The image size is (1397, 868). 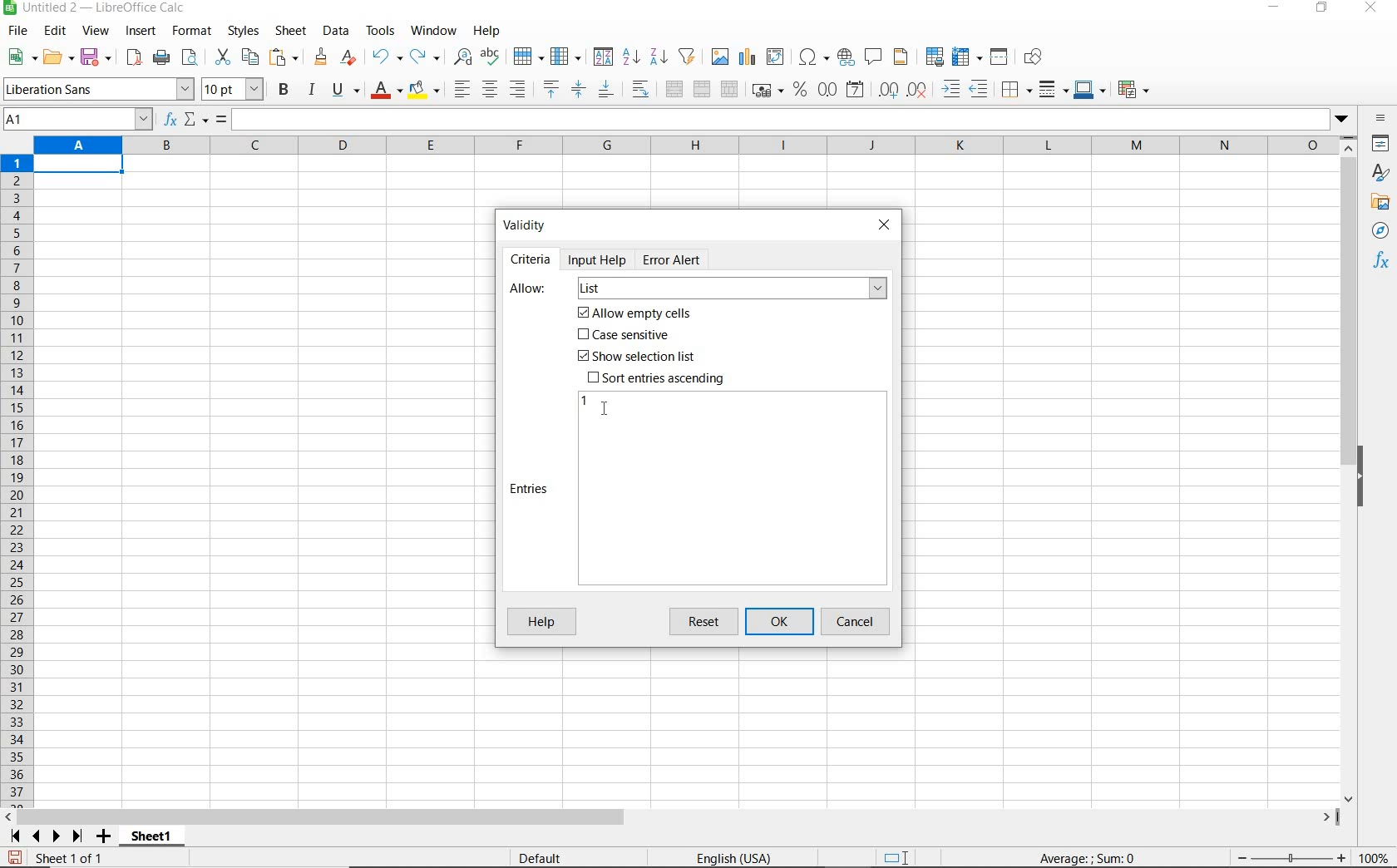 What do you see at coordinates (607, 408) in the screenshot?
I see `cursor` at bounding box center [607, 408].